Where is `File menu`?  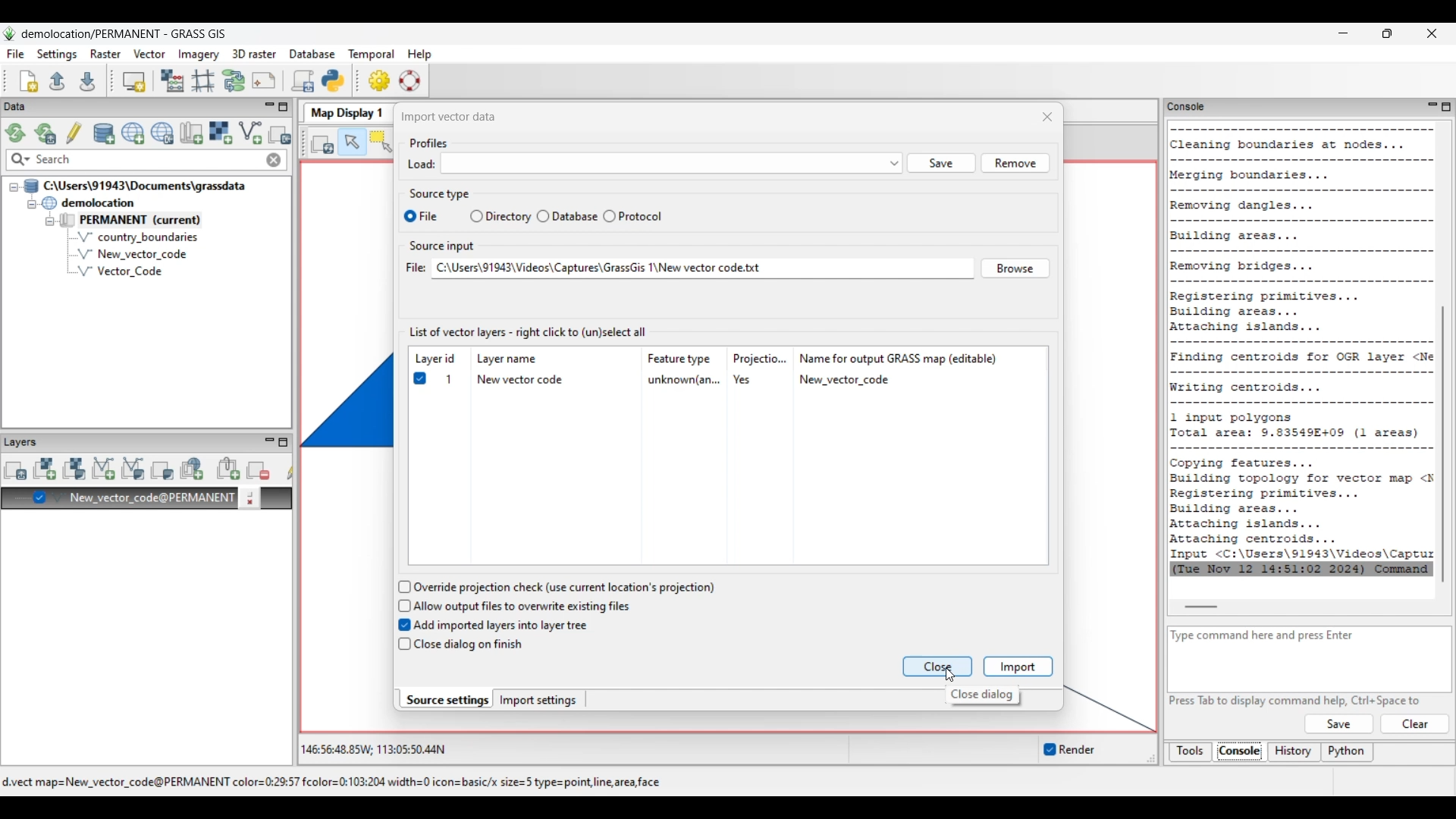 File menu is located at coordinates (16, 54).